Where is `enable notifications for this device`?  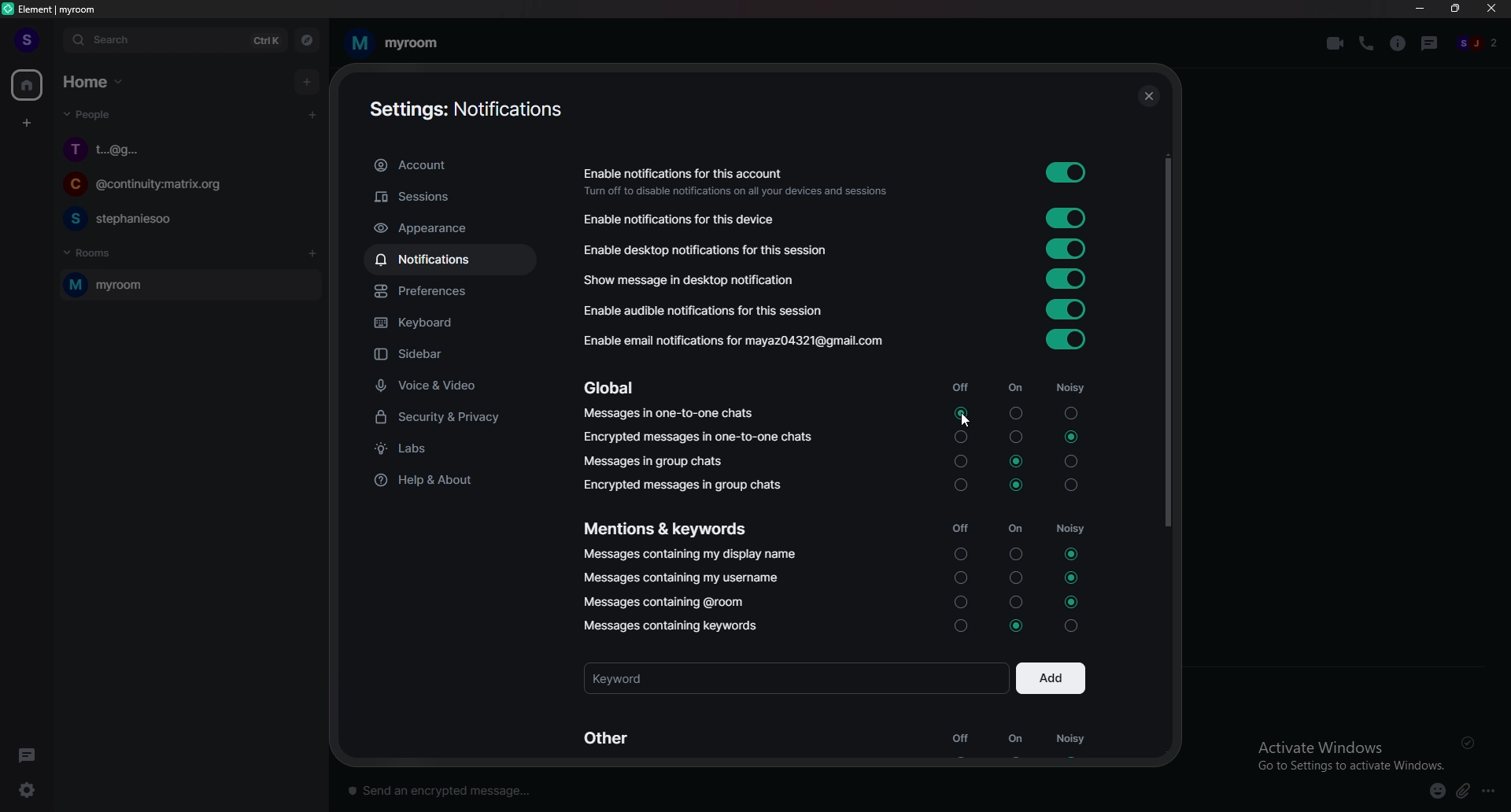
enable notifications for this device is located at coordinates (689, 220).